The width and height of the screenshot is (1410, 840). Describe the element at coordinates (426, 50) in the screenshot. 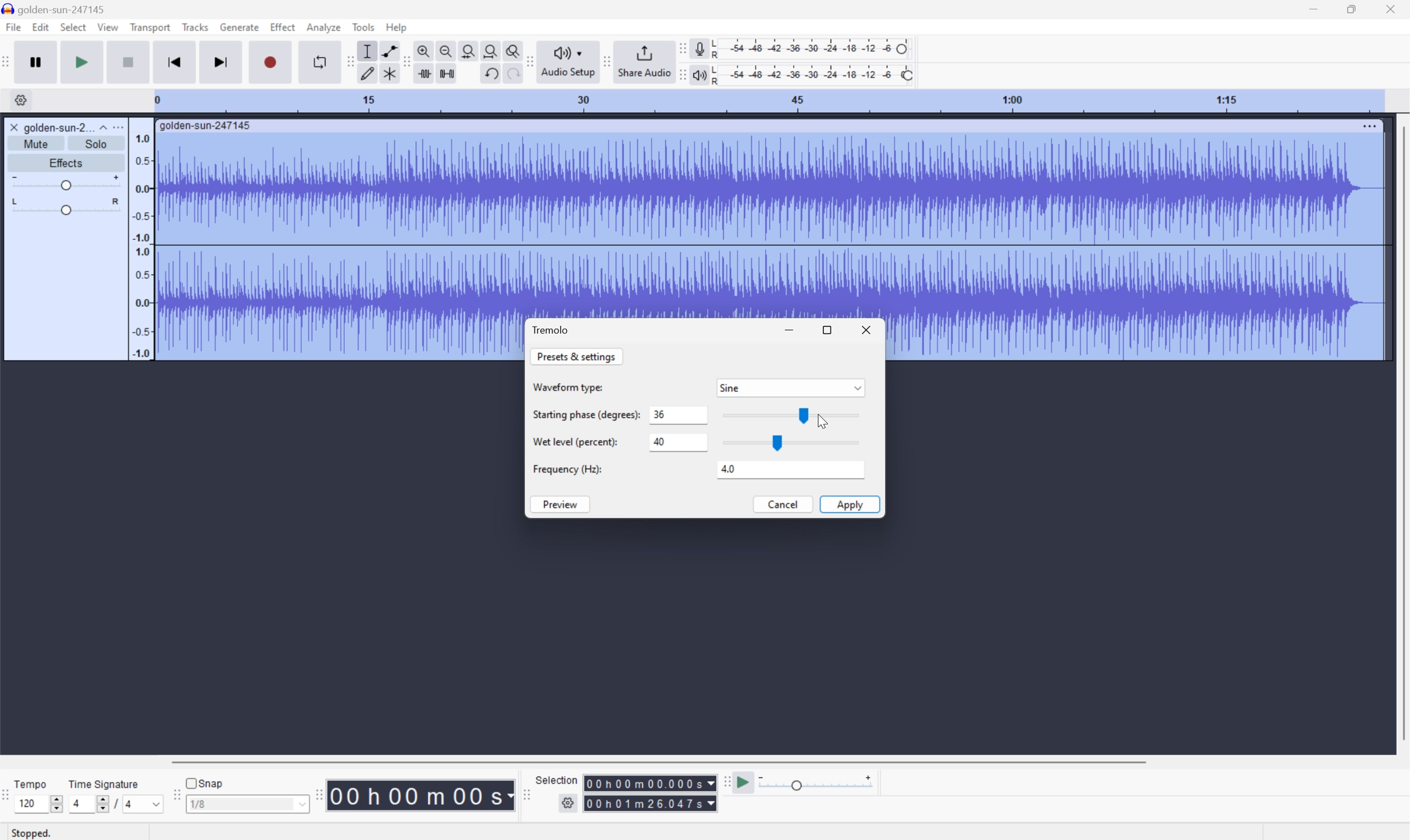

I see `Zoom in` at that location.